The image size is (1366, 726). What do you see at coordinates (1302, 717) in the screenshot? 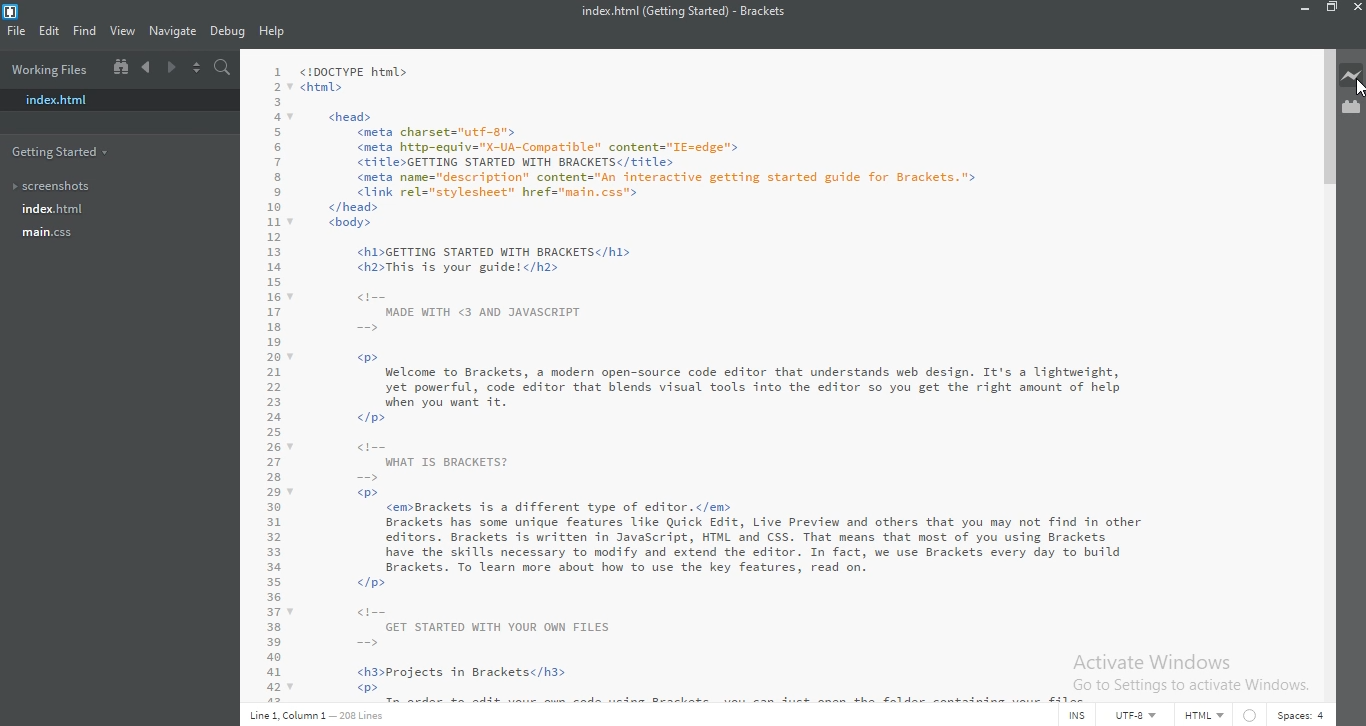
I see `space:4` at bounding box center [1302, 717].